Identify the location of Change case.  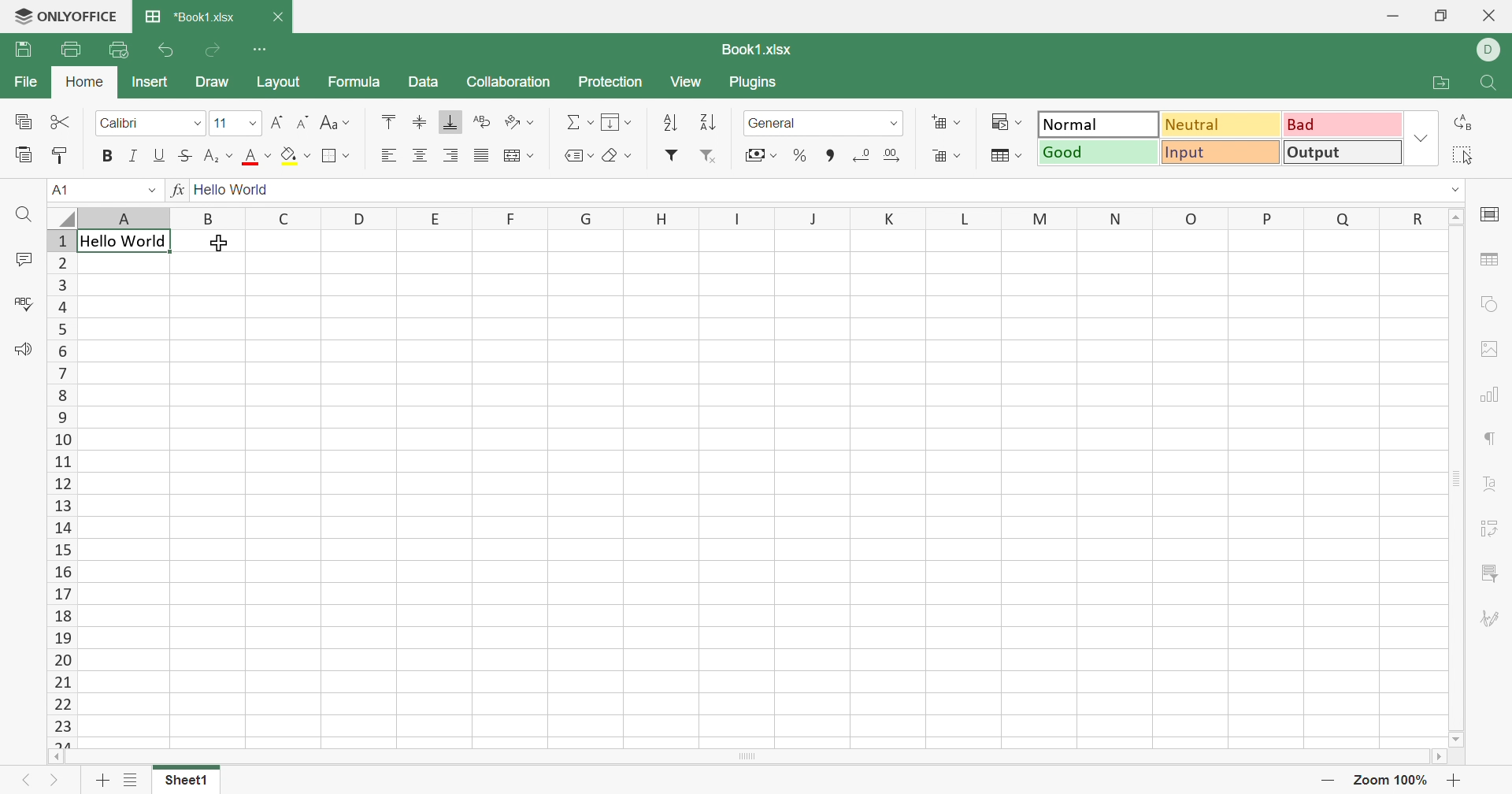
(335, 122).